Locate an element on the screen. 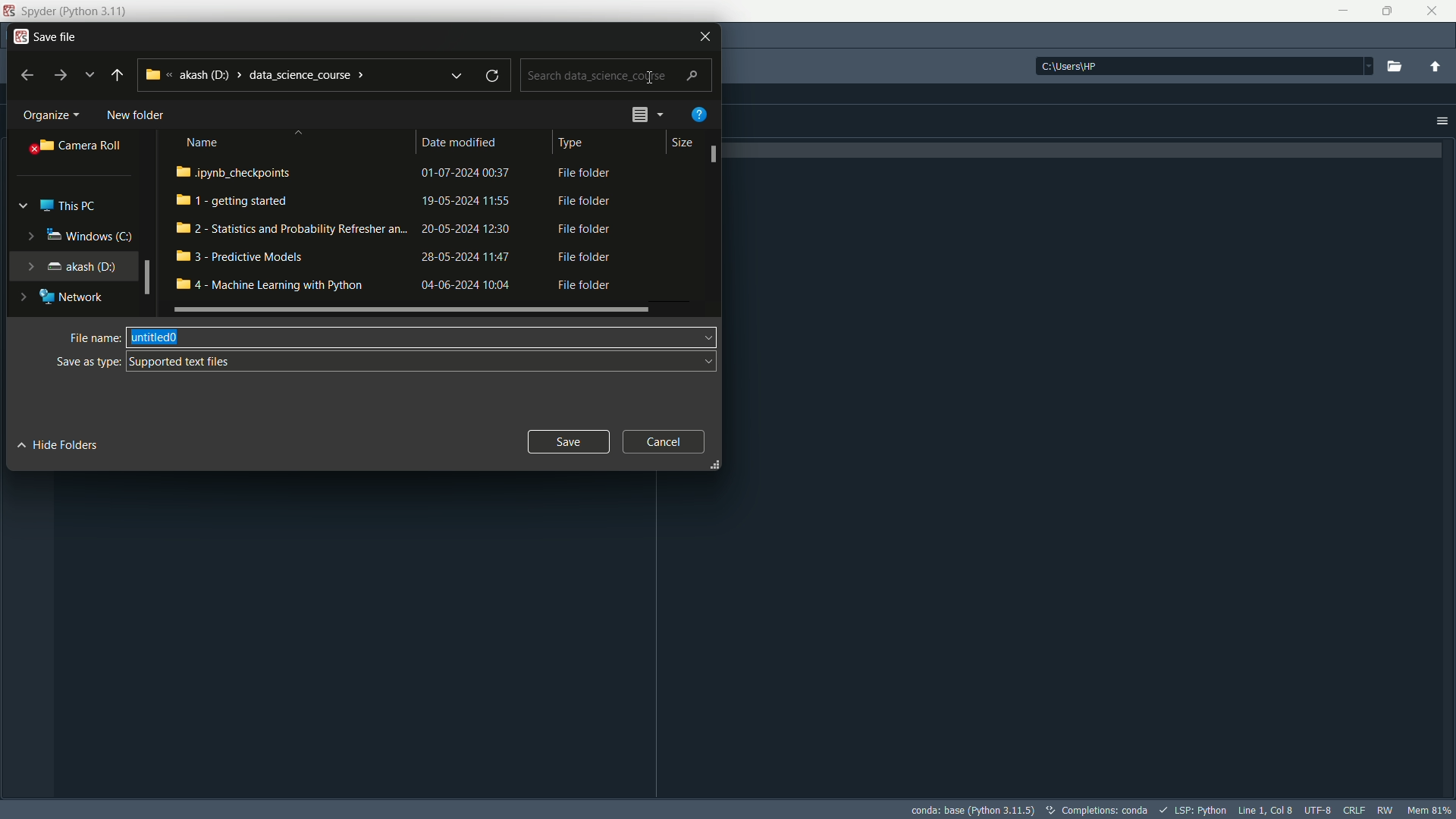 This screenshot has width=1456, height=819. forward is located at coordinates (59, 76).